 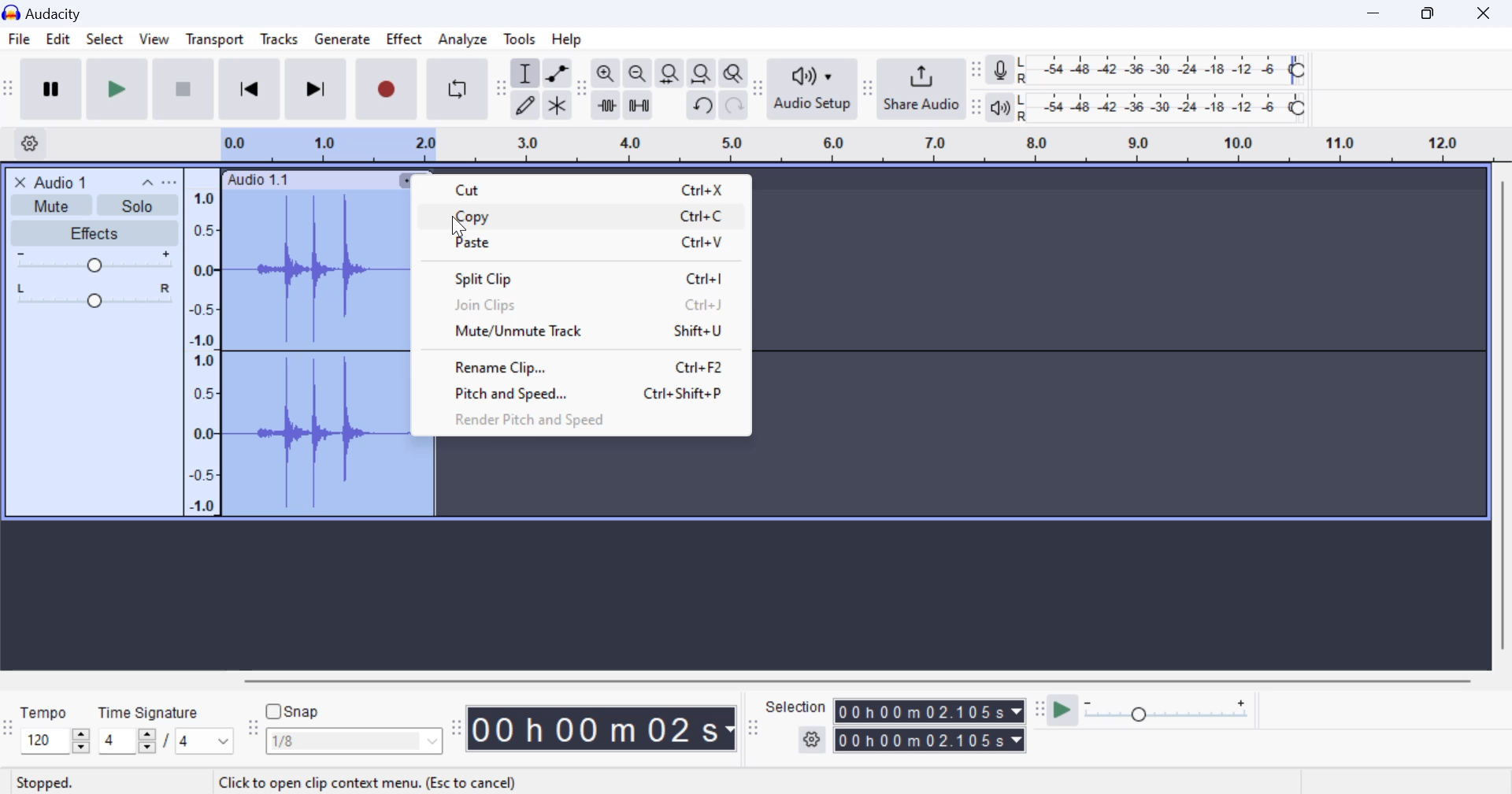 What do you see at coordinates (1176, 712) in the screenshot?
I see `Playback Speed` at bounding box center [1176, 712].